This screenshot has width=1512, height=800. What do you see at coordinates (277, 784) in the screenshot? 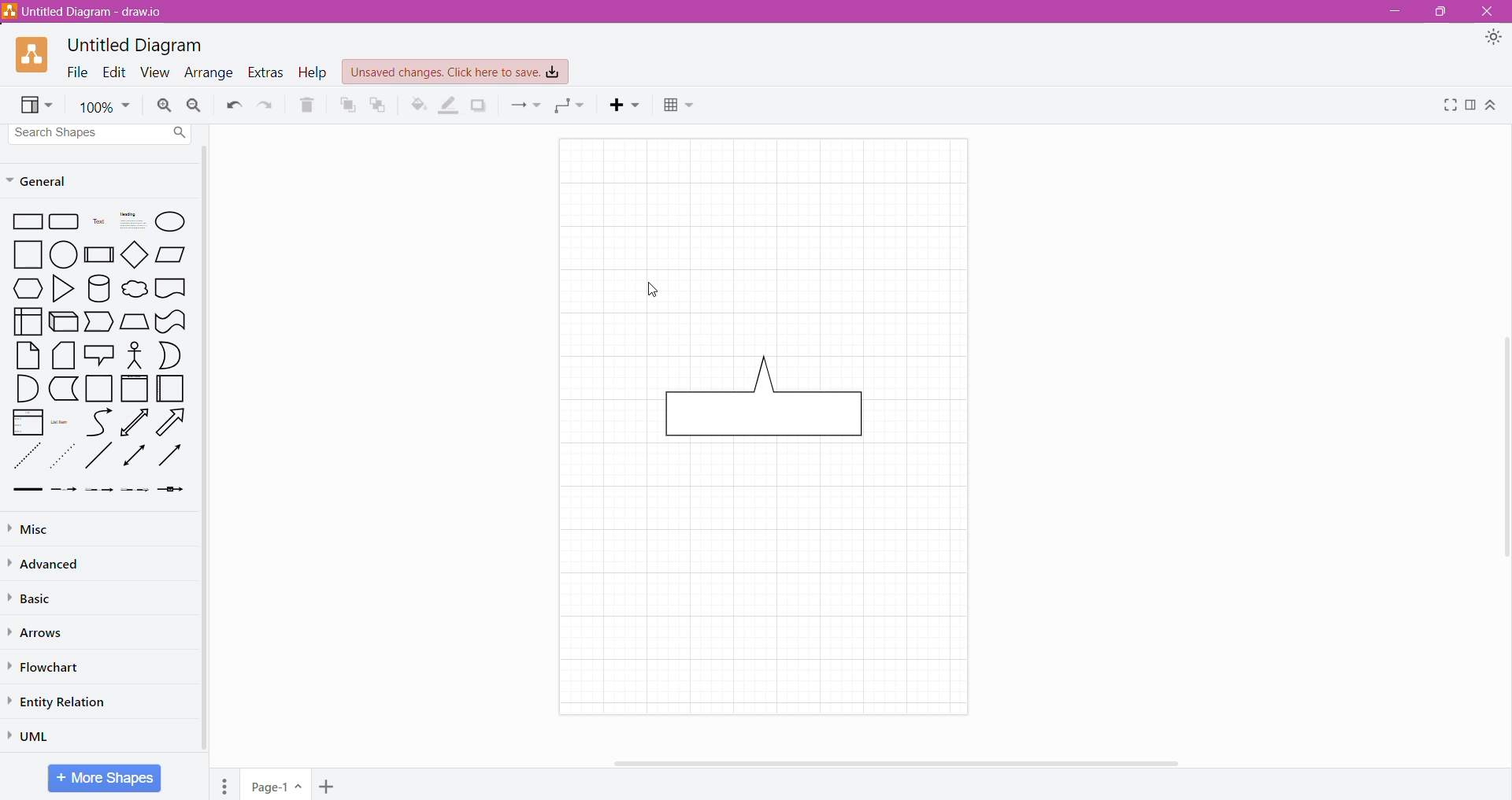
I see `Page Name` at bounding box center [277, 784].